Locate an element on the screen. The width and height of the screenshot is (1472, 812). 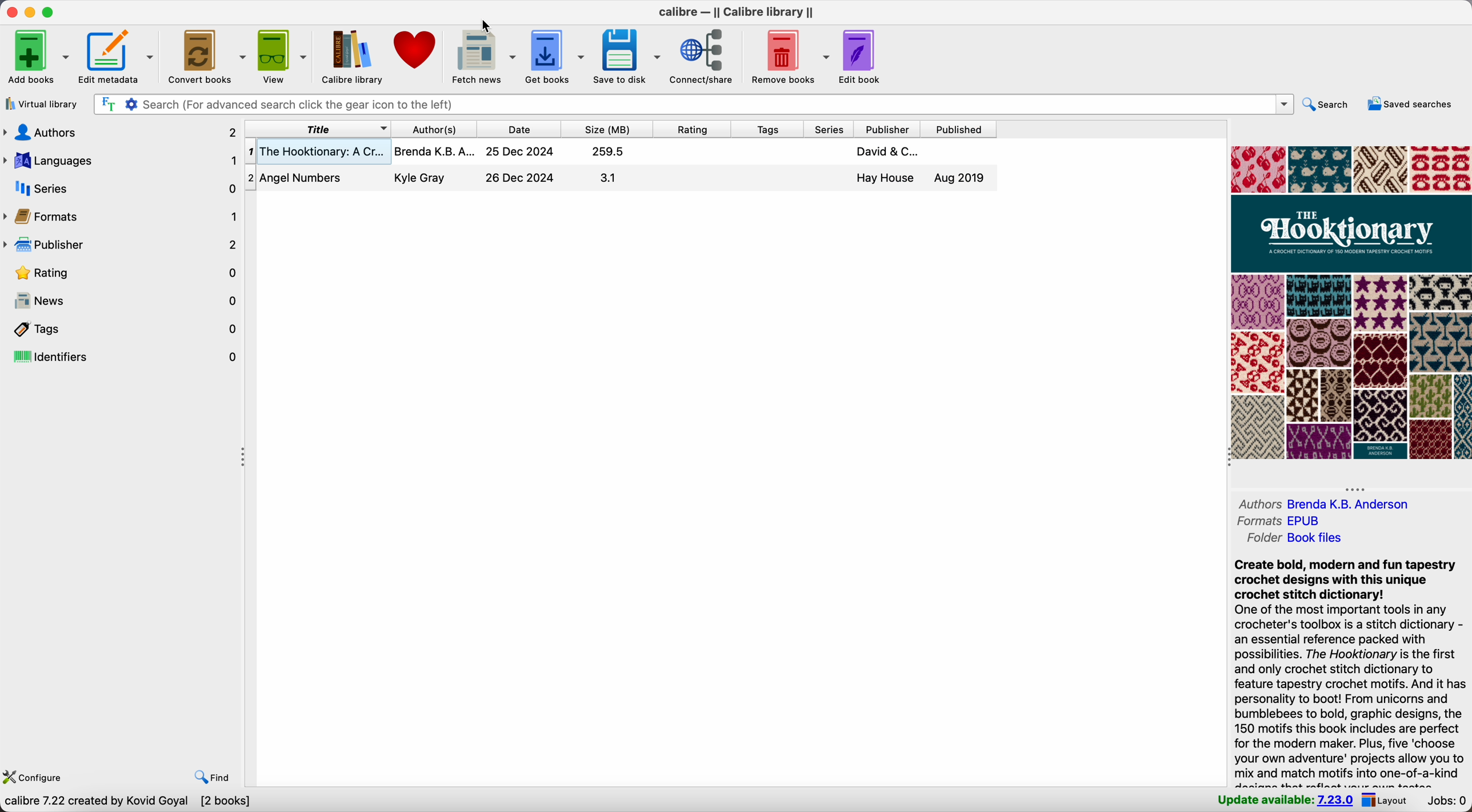
identifiers is located at coordinates (122, 358).